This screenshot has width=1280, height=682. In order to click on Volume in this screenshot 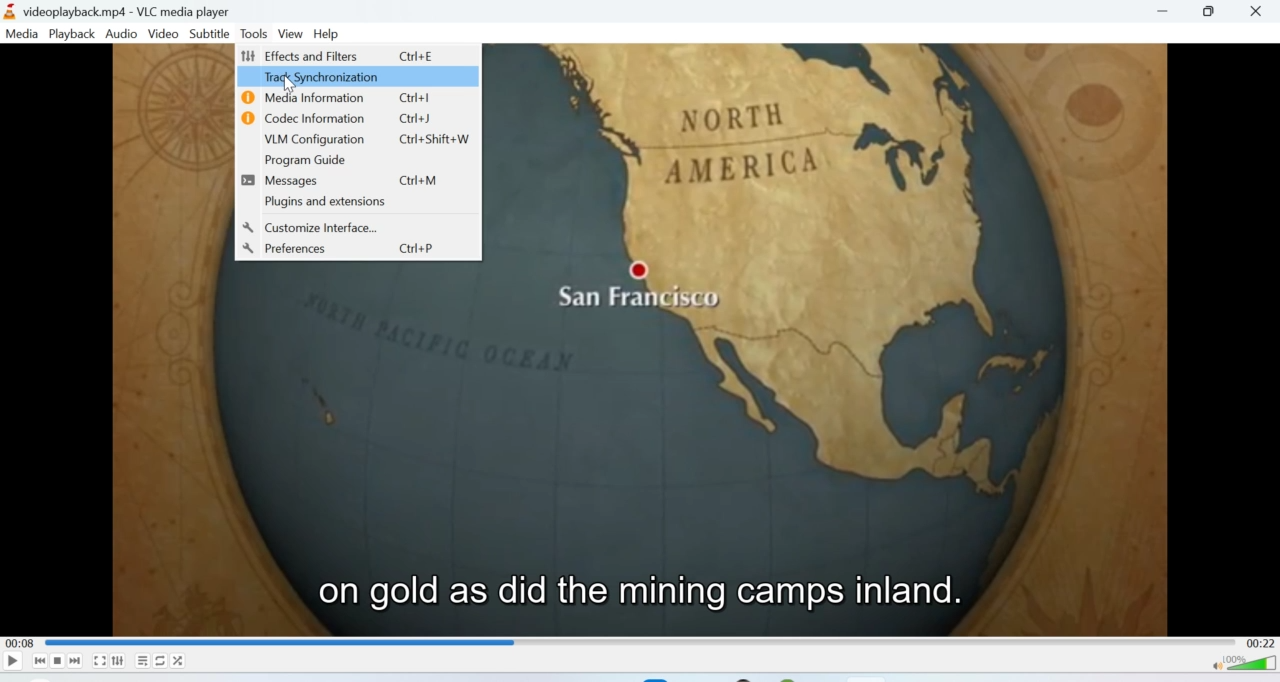, I will do `click(1246, 666)`.